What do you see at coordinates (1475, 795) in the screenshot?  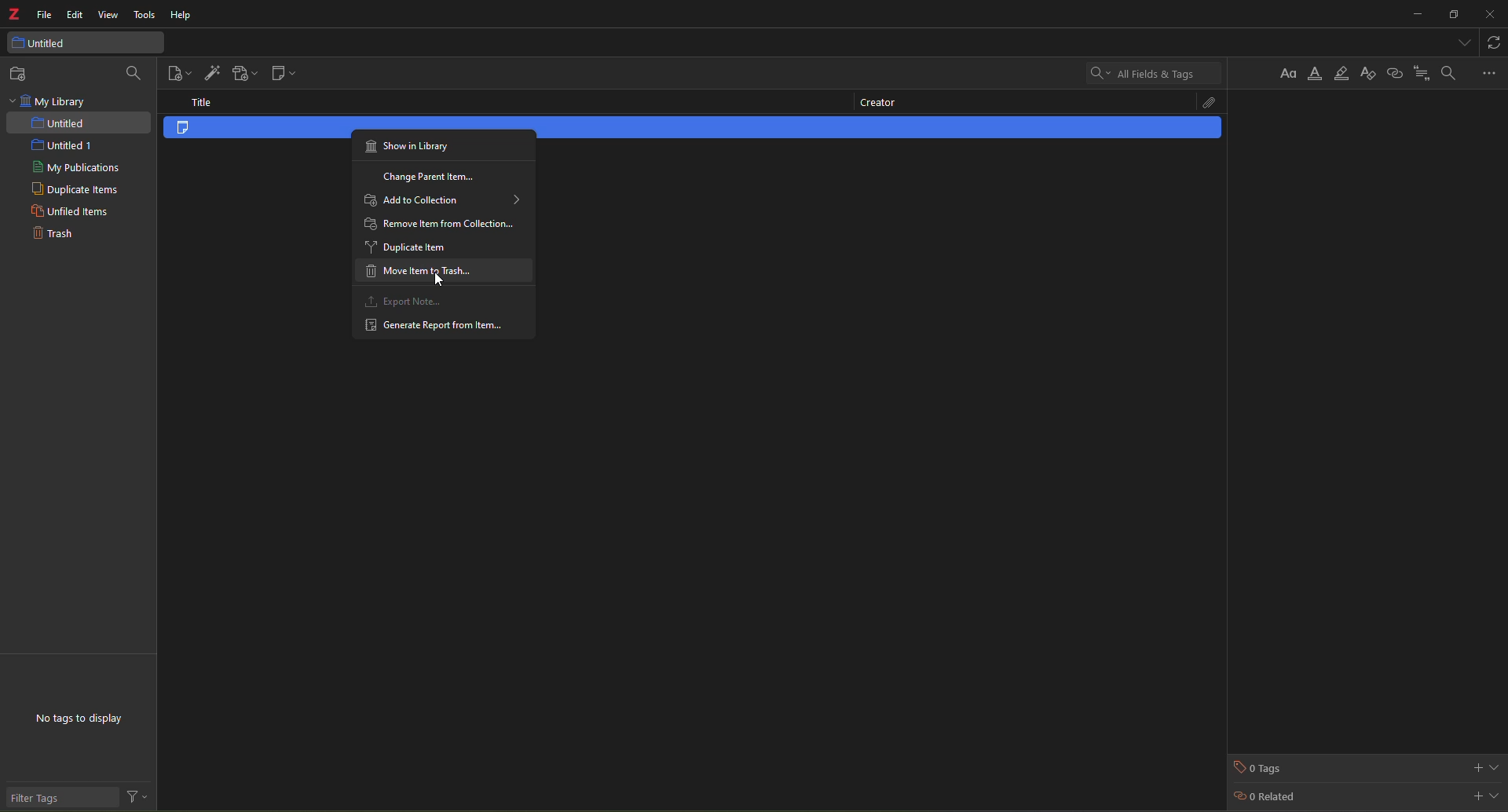 I see `add` at bounding box center [1475, 795].